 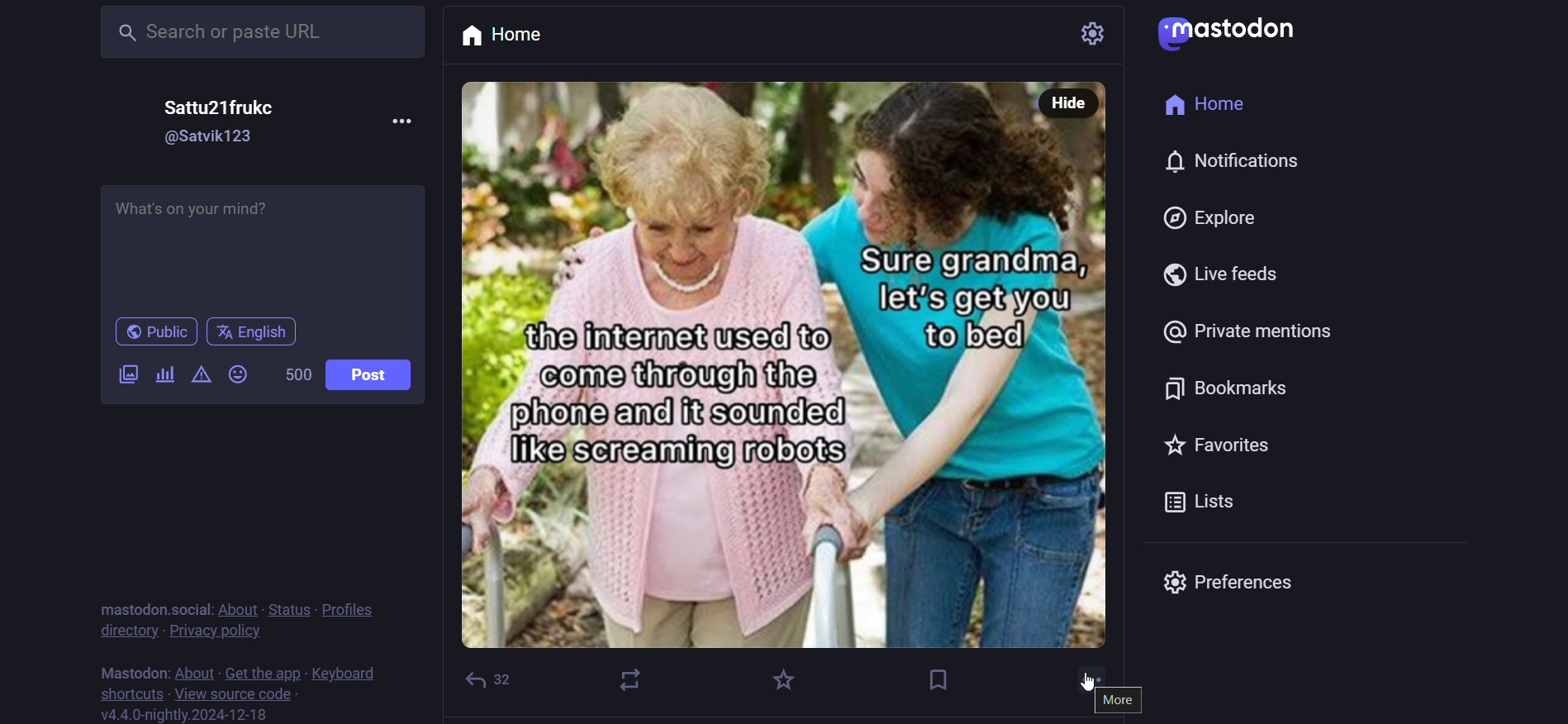 I want to click on preferences, so click(x=1240, y=578).